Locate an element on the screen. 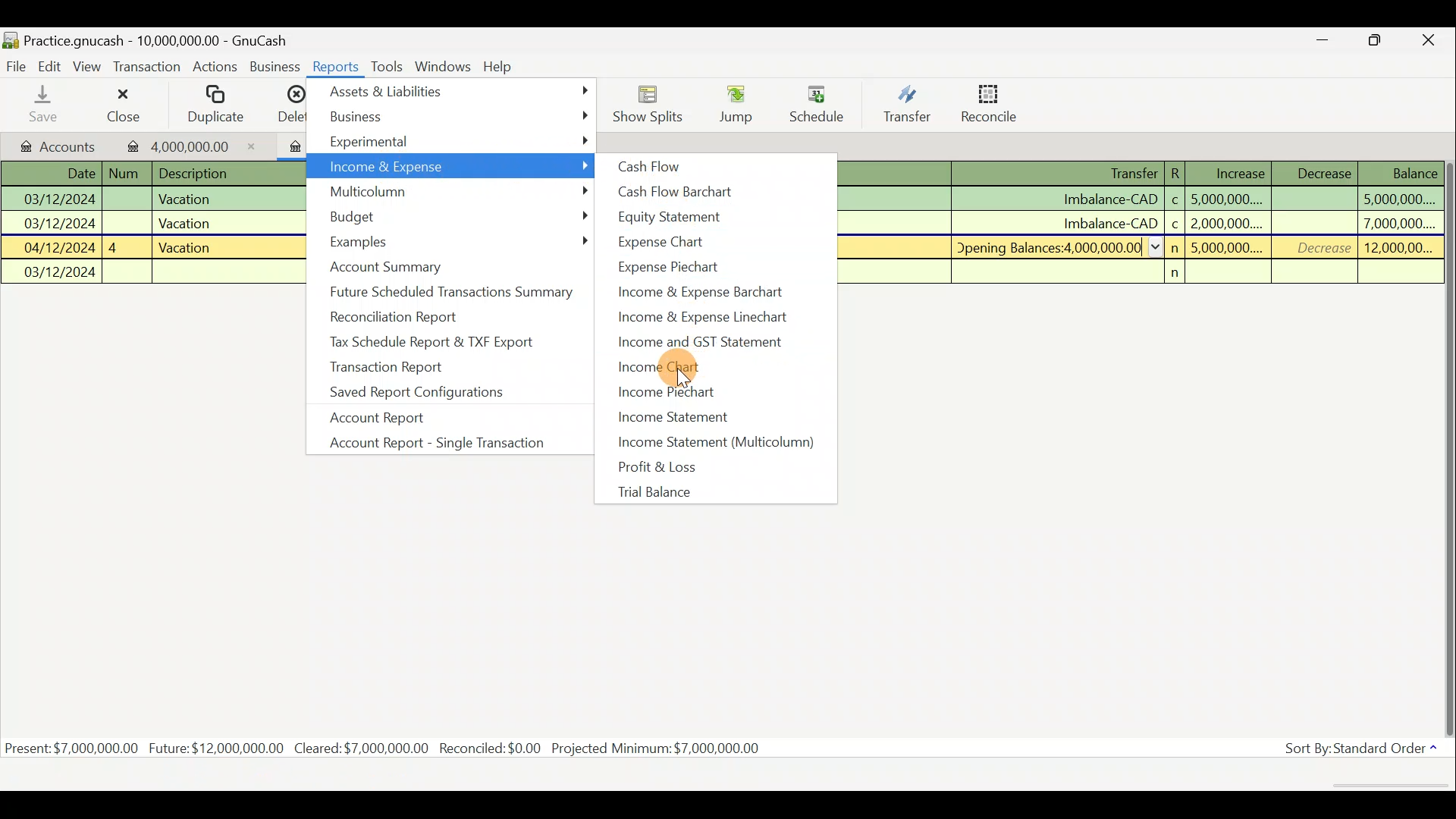 This screenshot has height=819, width=1456. Actions is located at coordinates (215, 66).